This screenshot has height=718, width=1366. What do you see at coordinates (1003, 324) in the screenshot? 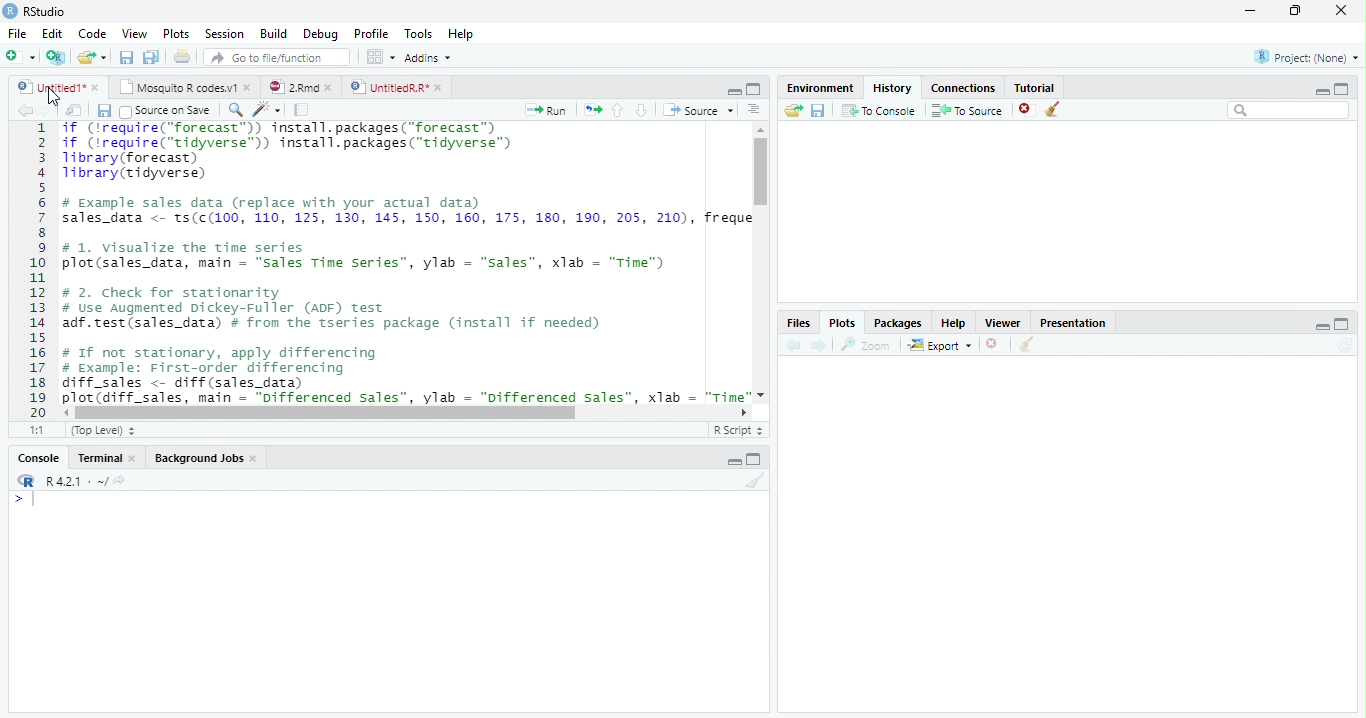
I see `viewer` at bounding box center [1003, 324].